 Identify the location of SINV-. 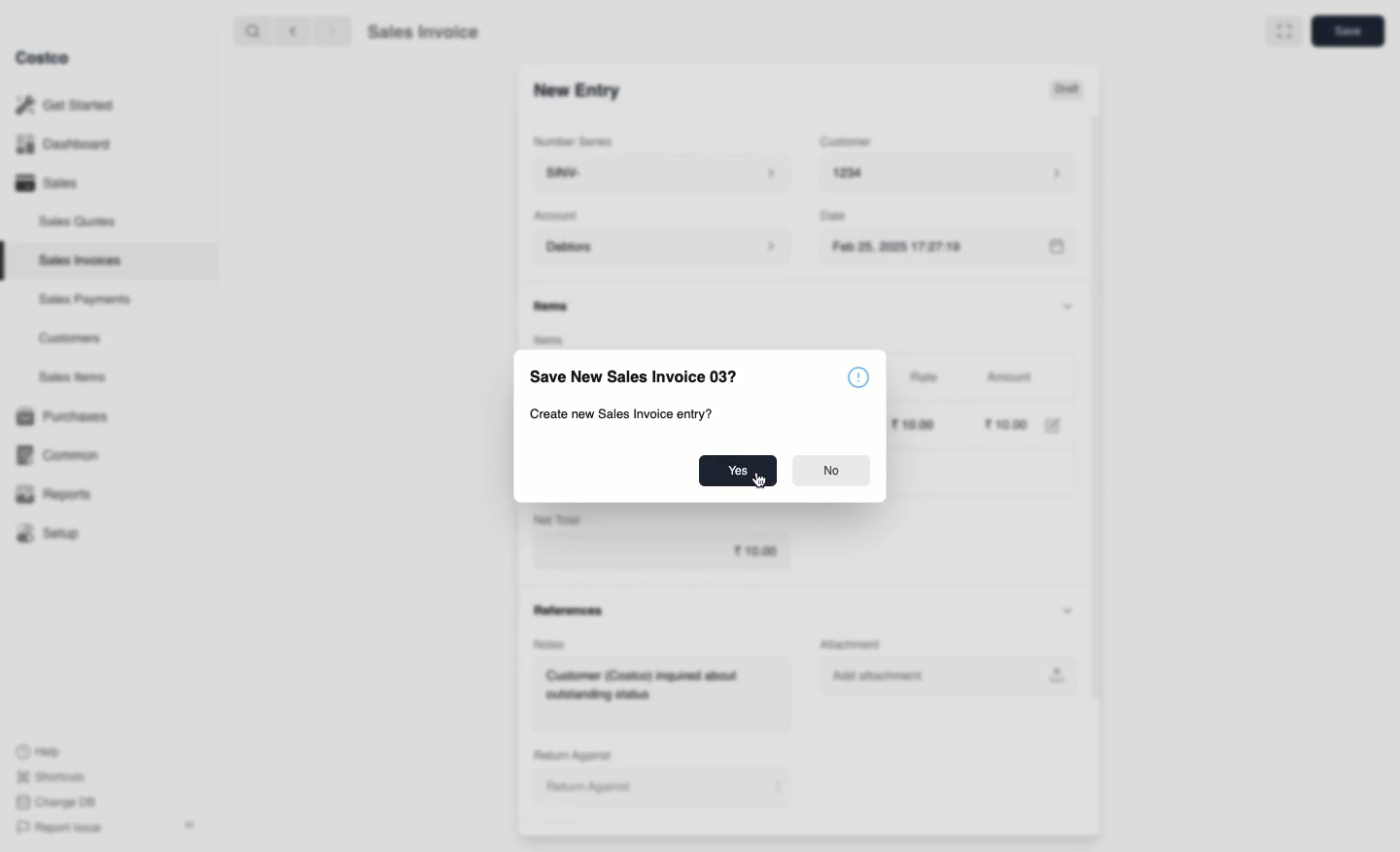
(663, 174).